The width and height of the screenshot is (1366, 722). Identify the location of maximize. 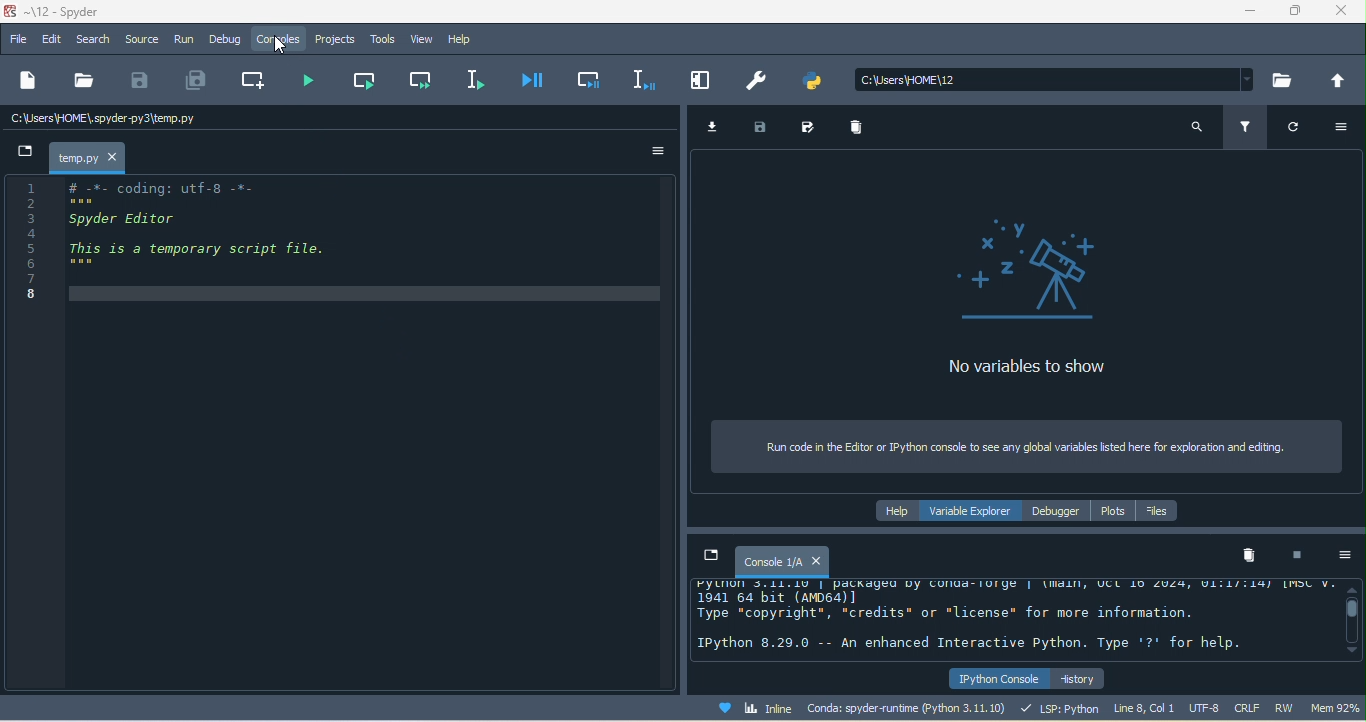
(1302, 13).